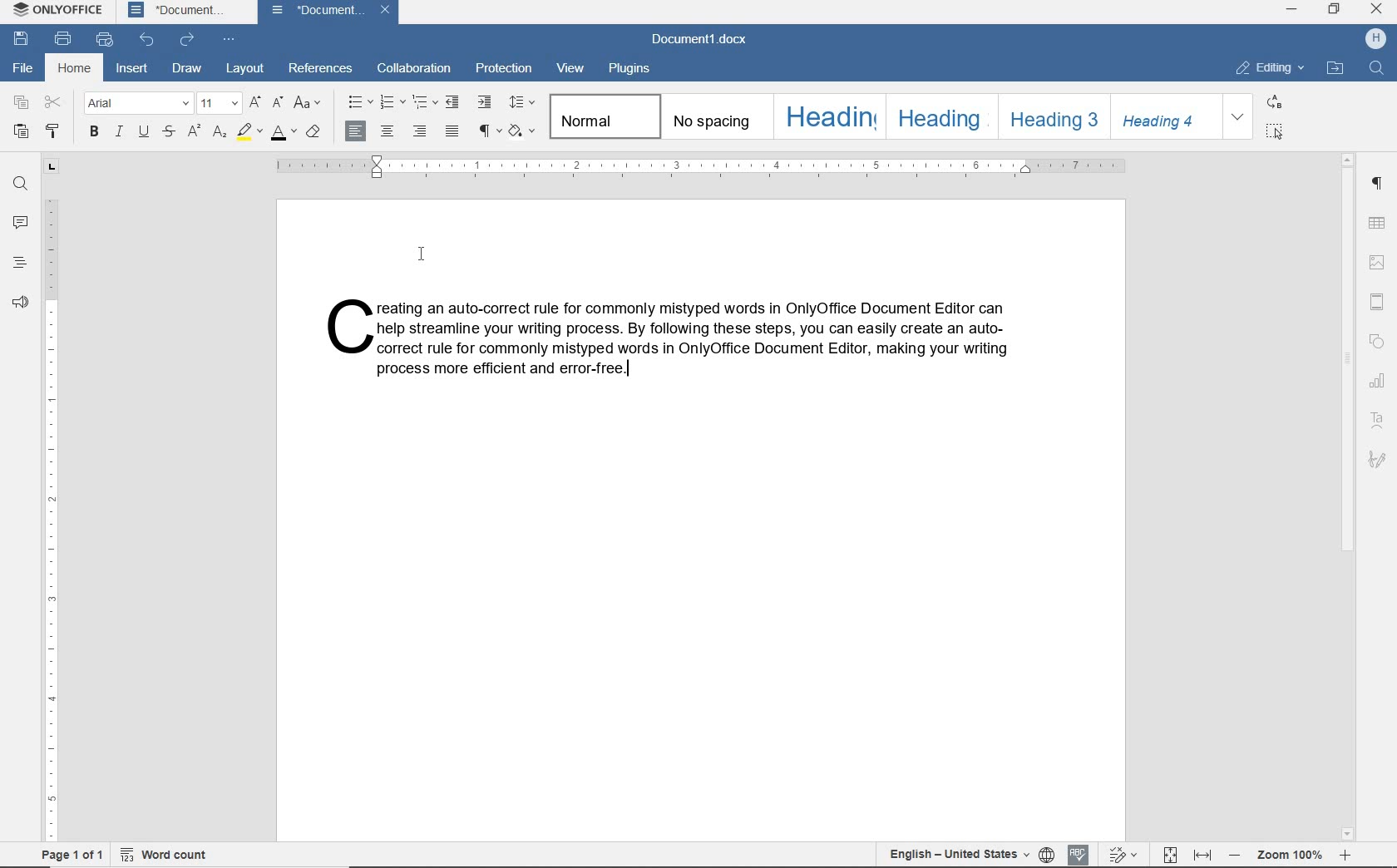 The height and width of the screenshot is (868, 1397). What do you see at coordinates (251, 131) in the screenshot?
I see `HIGHLIGHT COLOR` at bounding box center [251, 131].